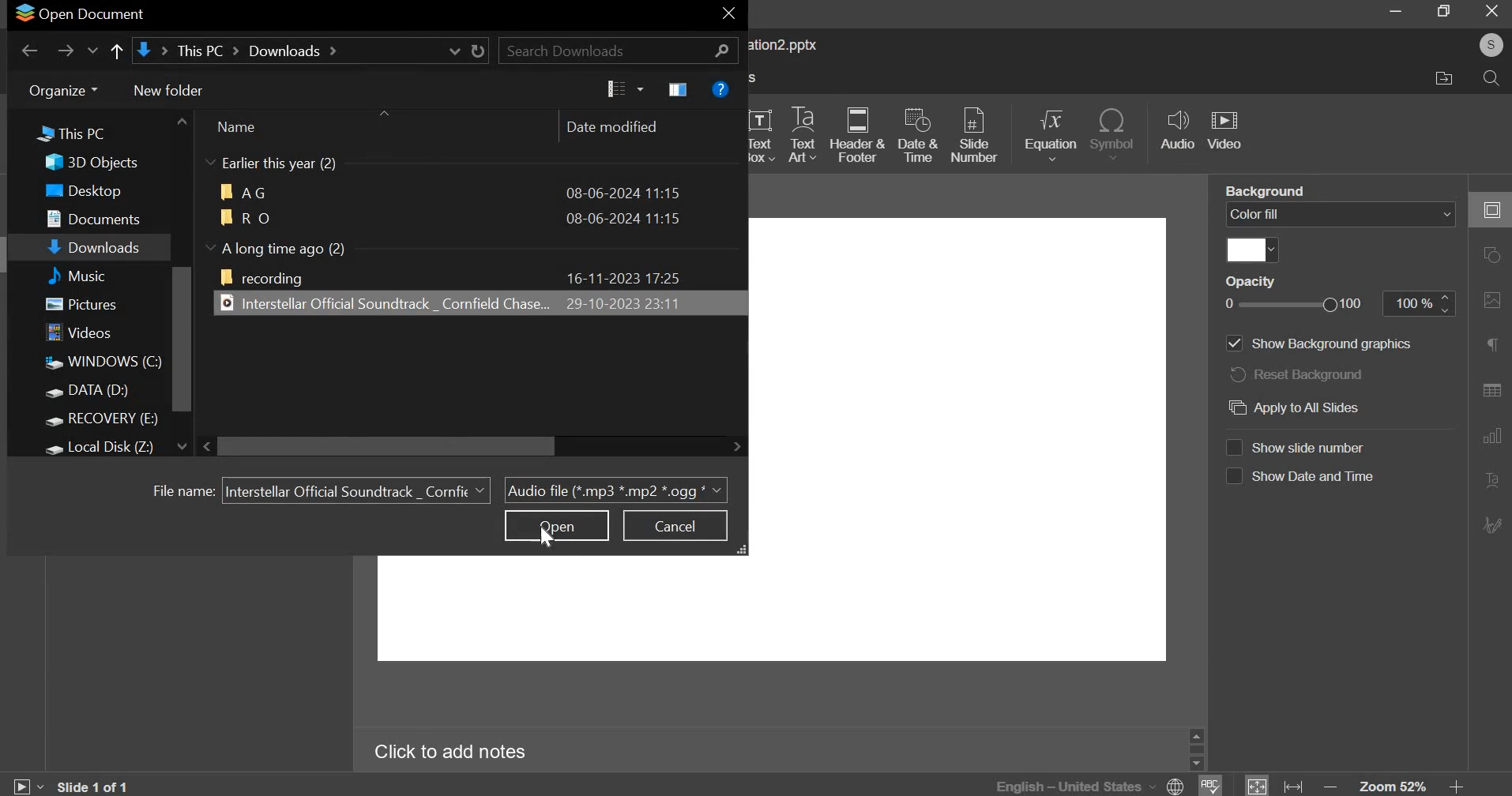 Image resolution: width=1512 pixels, height=796 pixels. What do you see at coordinates (90, 276) in the screenshot?
I see `Music` at bounding box center [90, 276].